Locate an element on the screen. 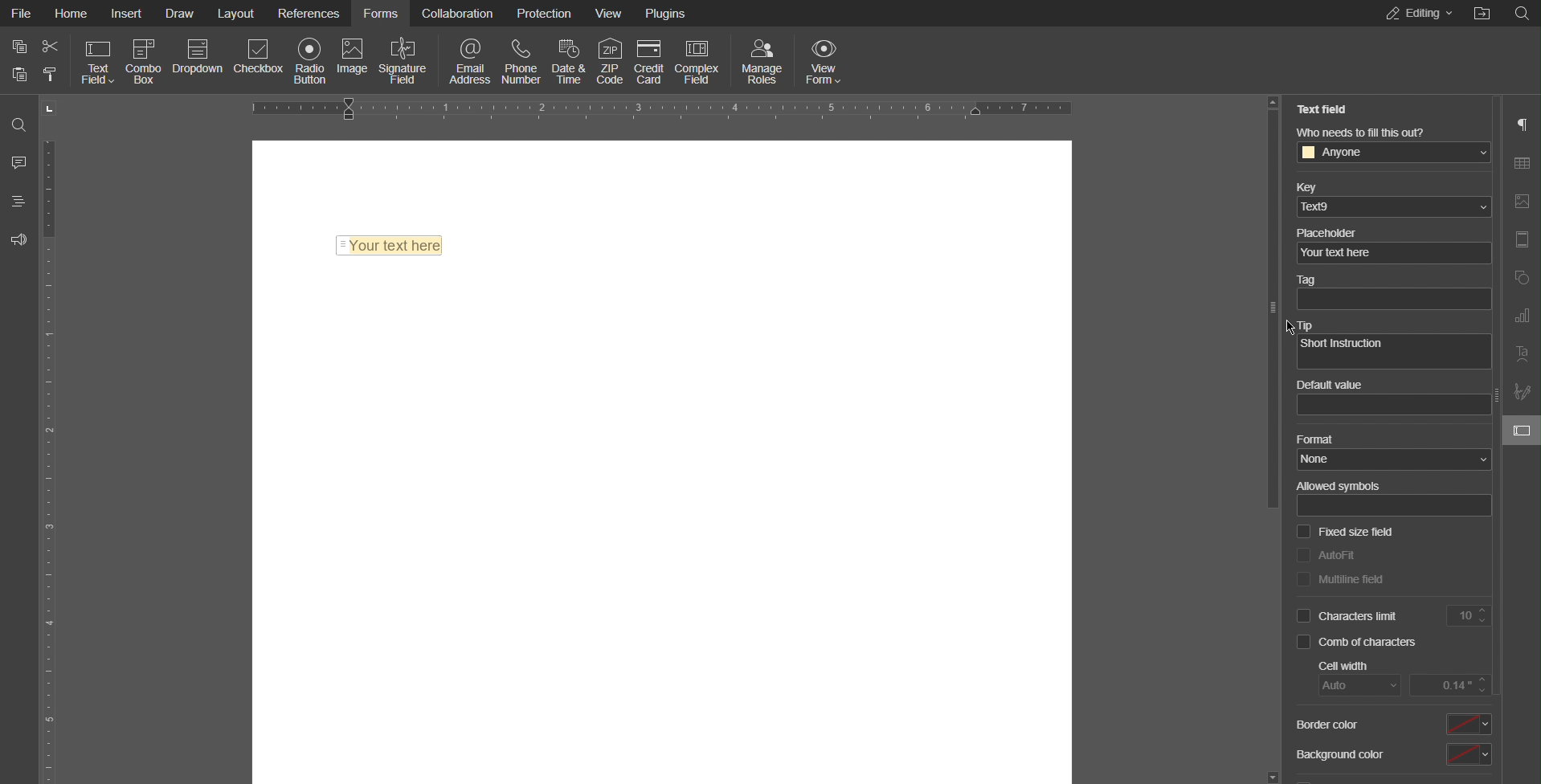 The width and height of the screenshot is (1541, 784). AutoFit is located at coordinates (1336, 555).